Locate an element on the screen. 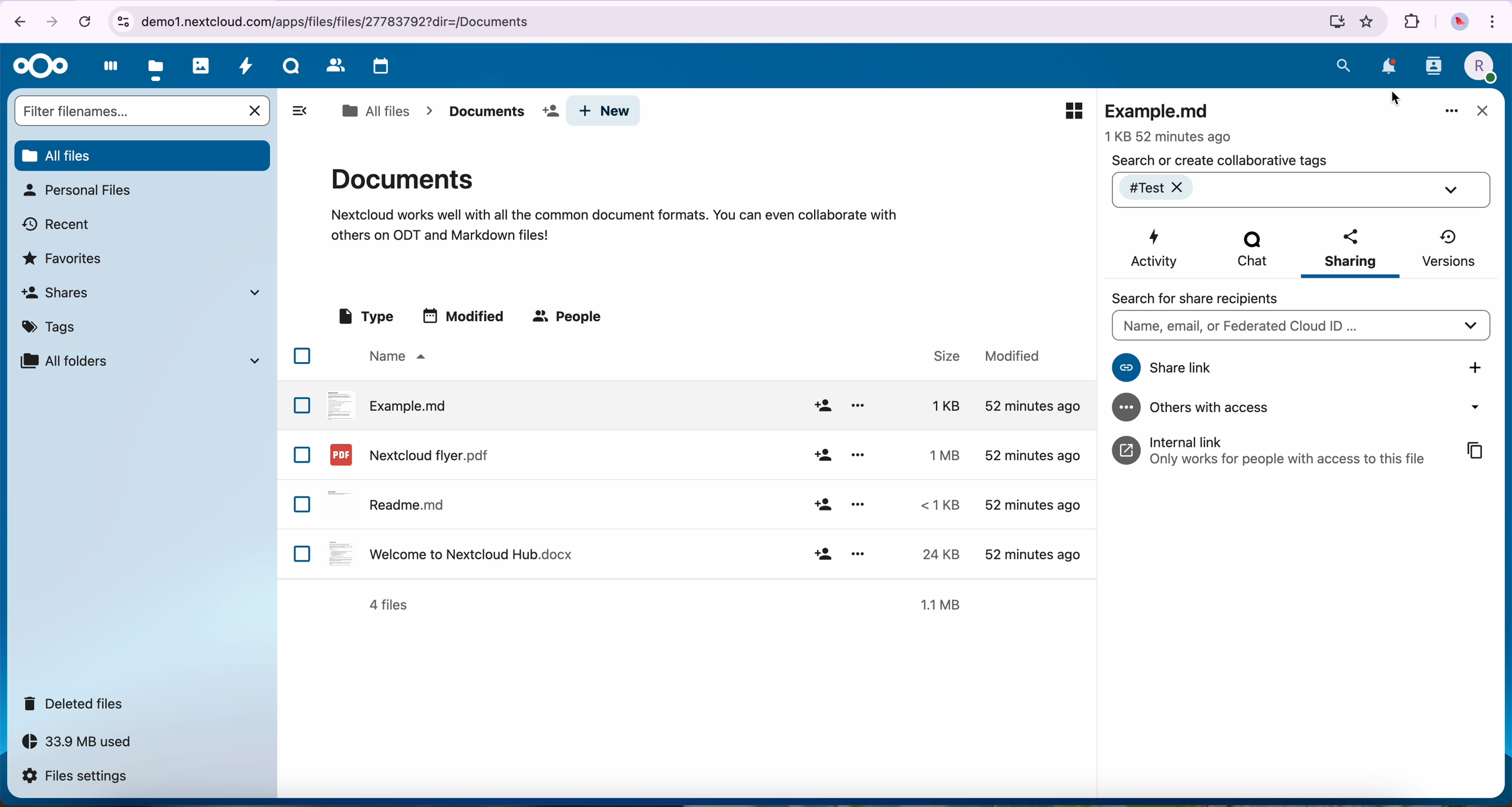 Image resolution: width=1512 pixels, height=807 pixels. readme.md is located at coordinates (390, 502).